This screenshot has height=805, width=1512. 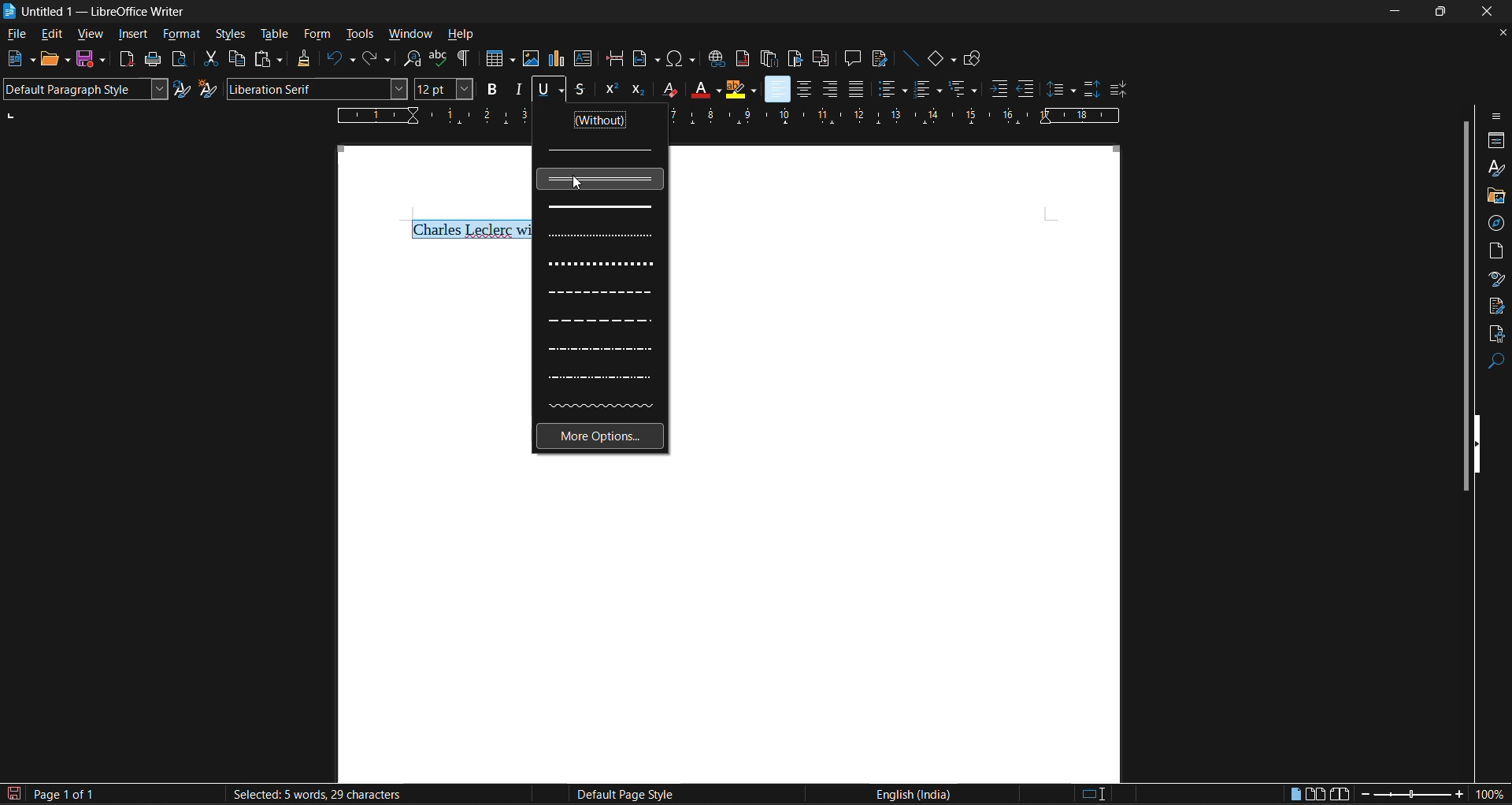 I want to click on find and replace, so click(x=413, y=59).